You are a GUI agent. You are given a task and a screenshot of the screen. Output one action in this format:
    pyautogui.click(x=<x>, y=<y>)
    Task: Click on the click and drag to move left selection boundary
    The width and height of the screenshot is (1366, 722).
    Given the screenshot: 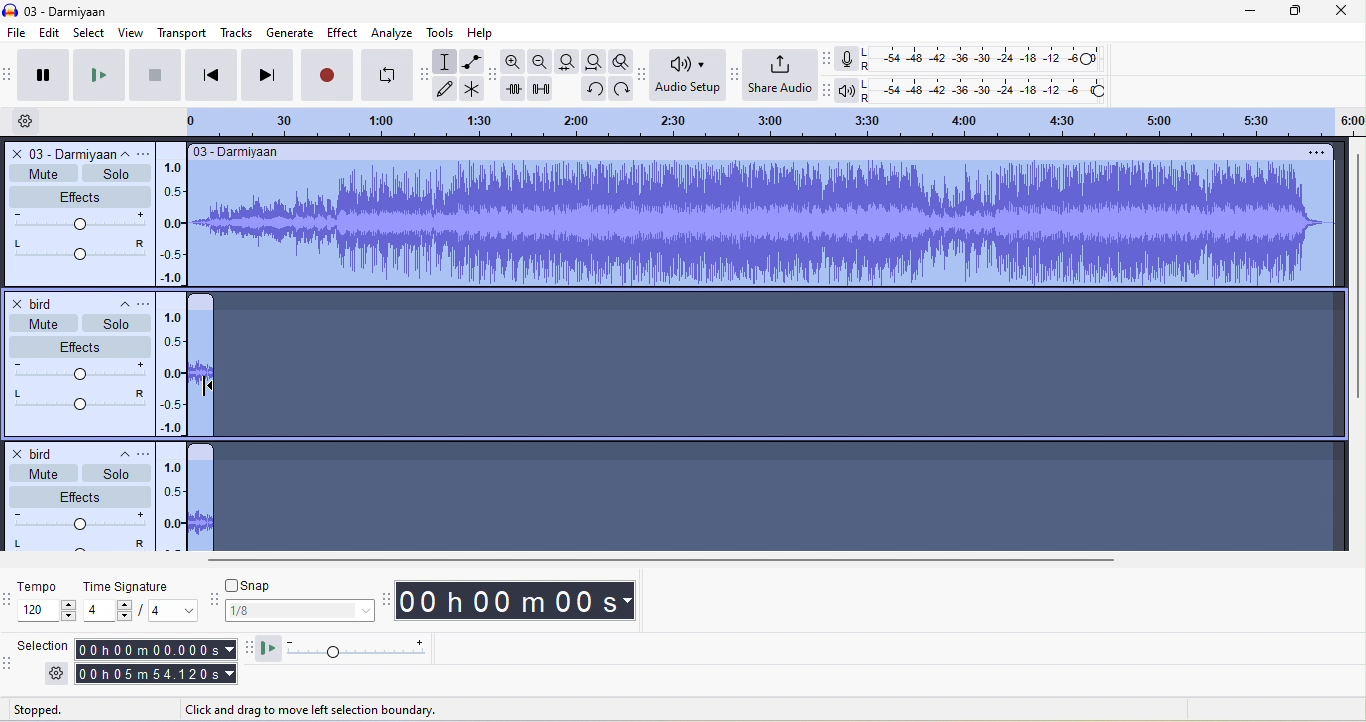 What is the action you would take?
    pyautogui.click(x=316, y=710)
    